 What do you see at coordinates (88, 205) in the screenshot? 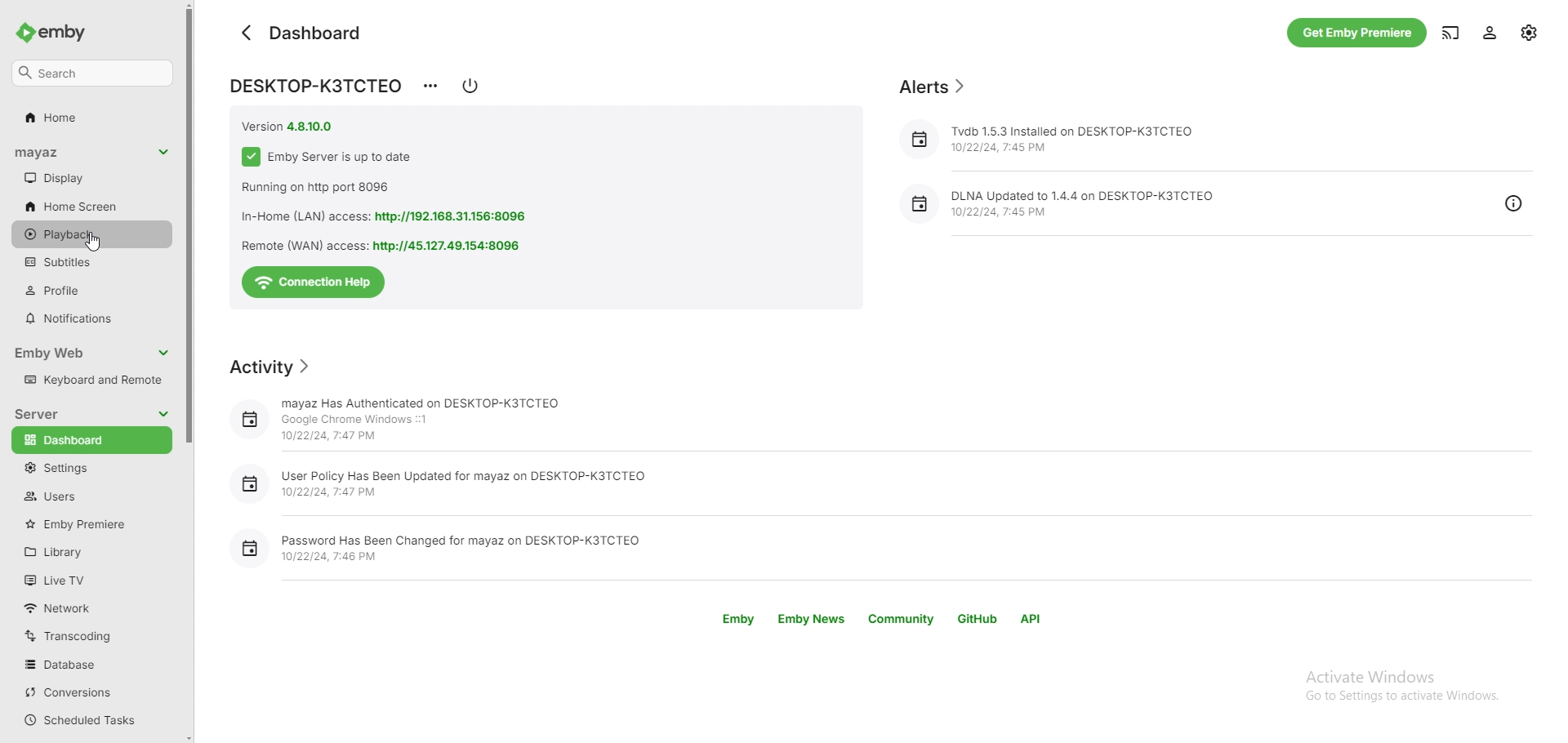
I see `home screen` at bounding box center [88, 205].